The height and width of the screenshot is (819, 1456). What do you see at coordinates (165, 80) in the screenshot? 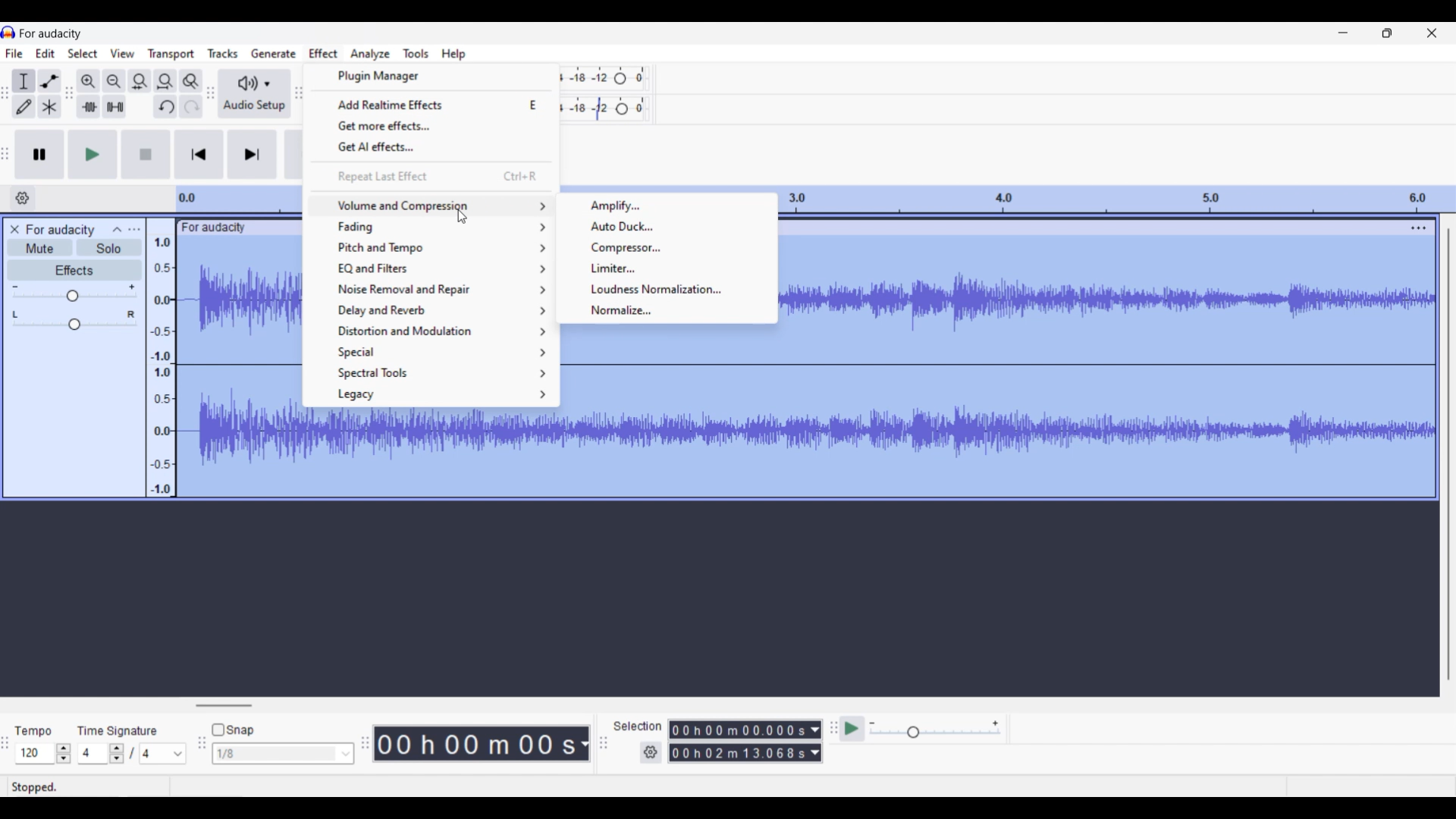
I see `Fit project to width` at bounding box center [165, 80].